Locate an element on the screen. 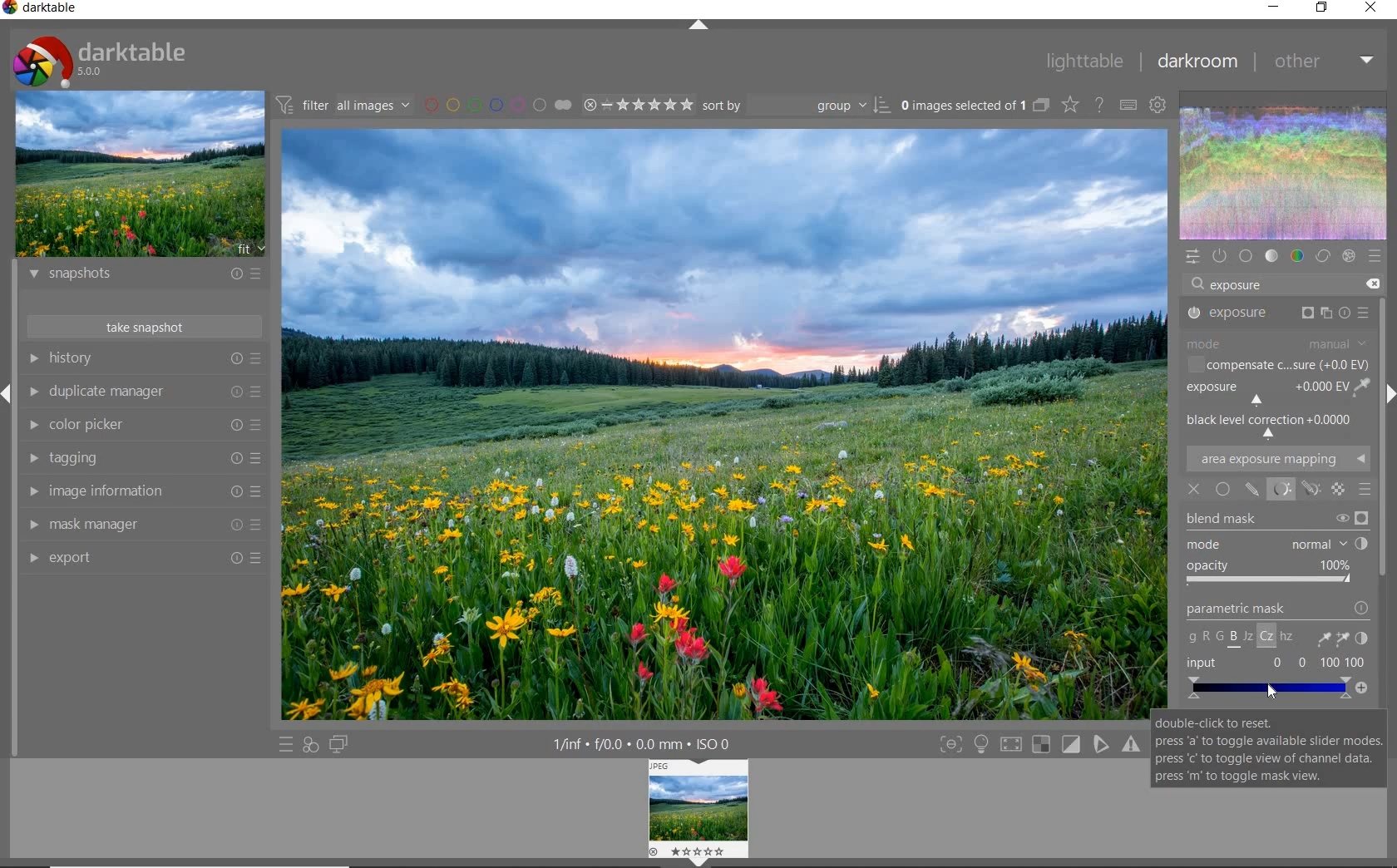 This screenshot has width=1397, height=868. EXPOSURE is located at coordinates (1264, 393).